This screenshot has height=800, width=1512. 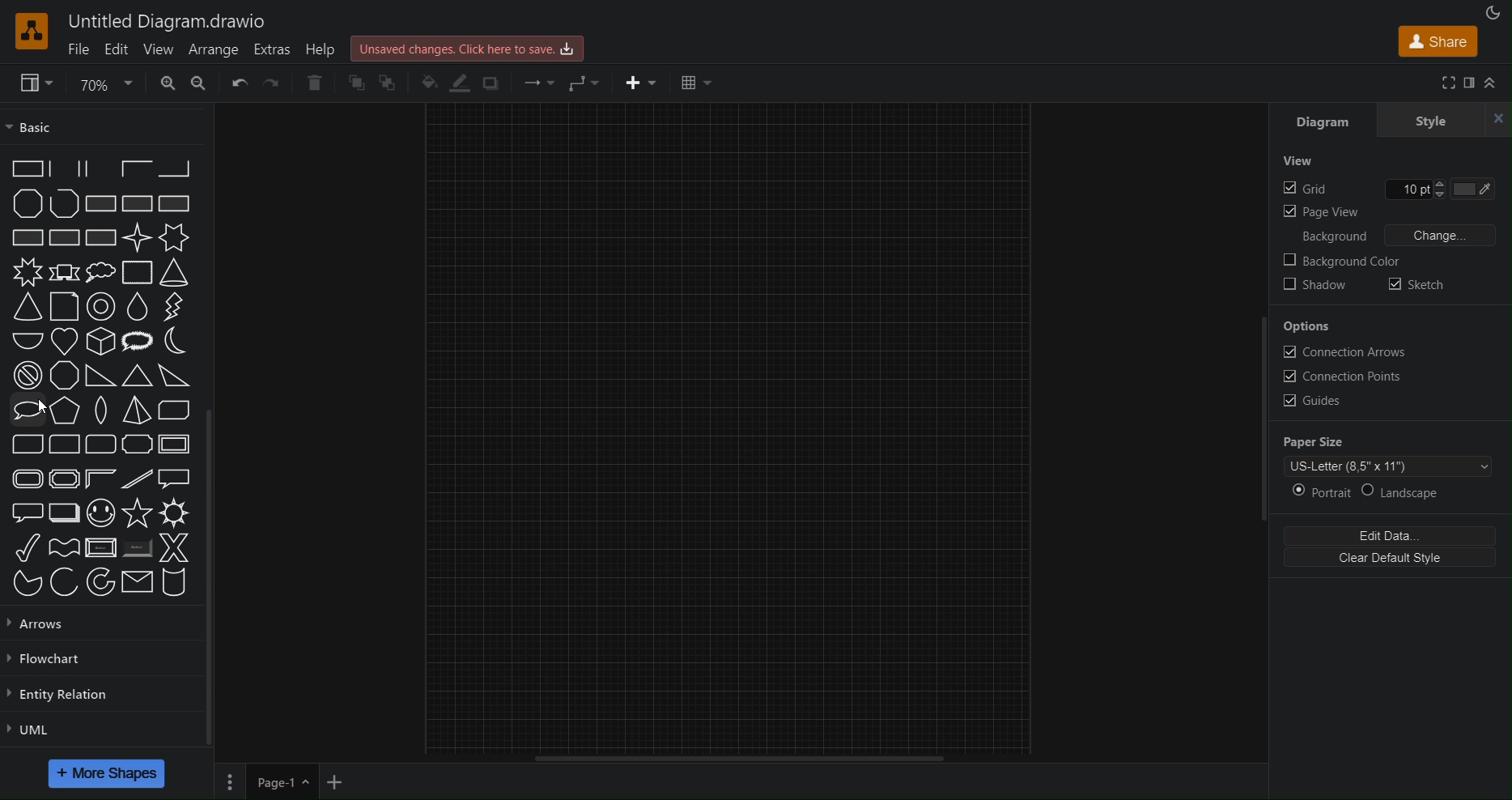 What do you see at coordinates (1346, 352) in the screenshot?
I see `Connection Arrows` at bounding box center [1346, 352].